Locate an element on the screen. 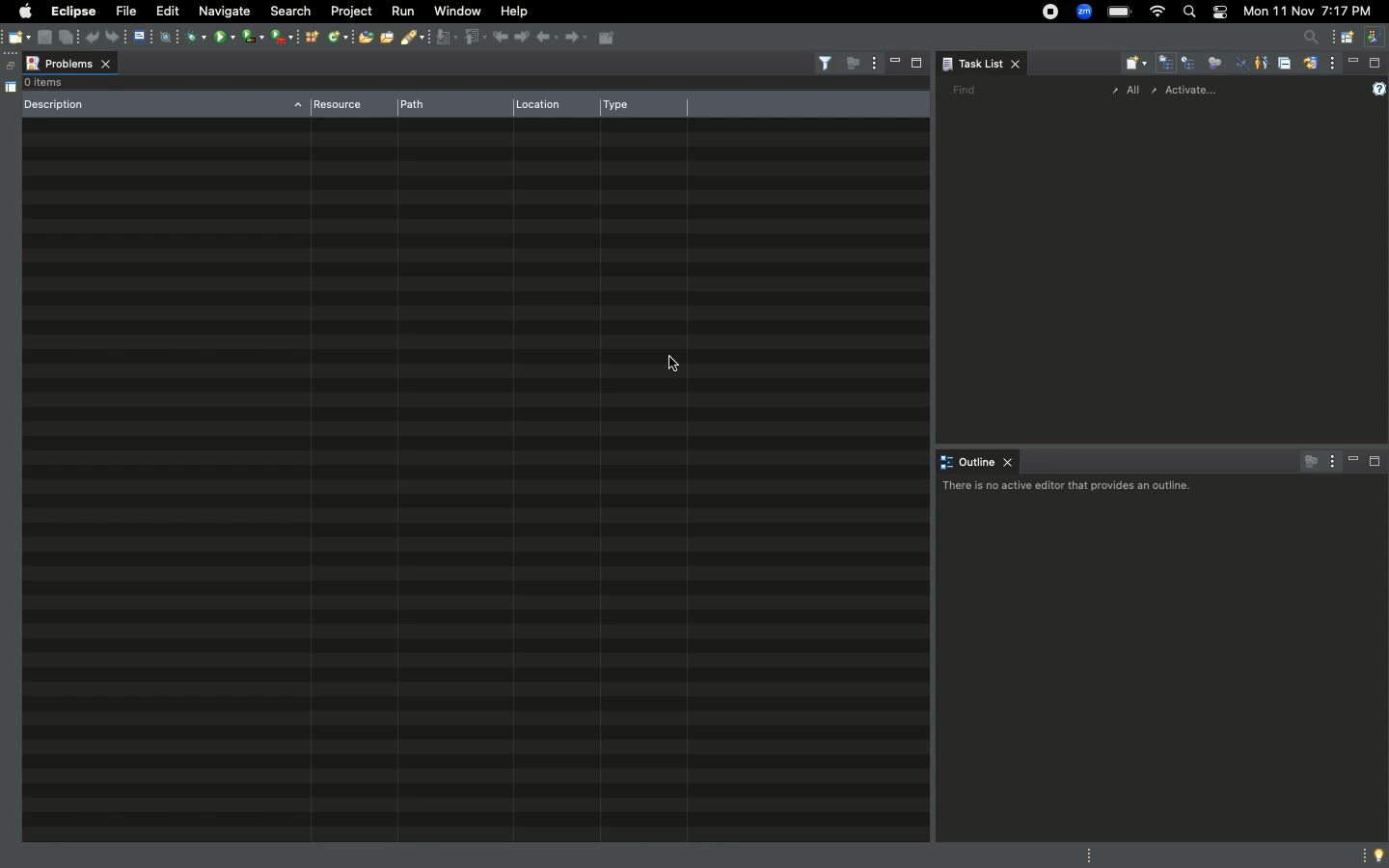 The height and width of the screenshot is (868, 1389). New task is located at coordinates (1136, 64).